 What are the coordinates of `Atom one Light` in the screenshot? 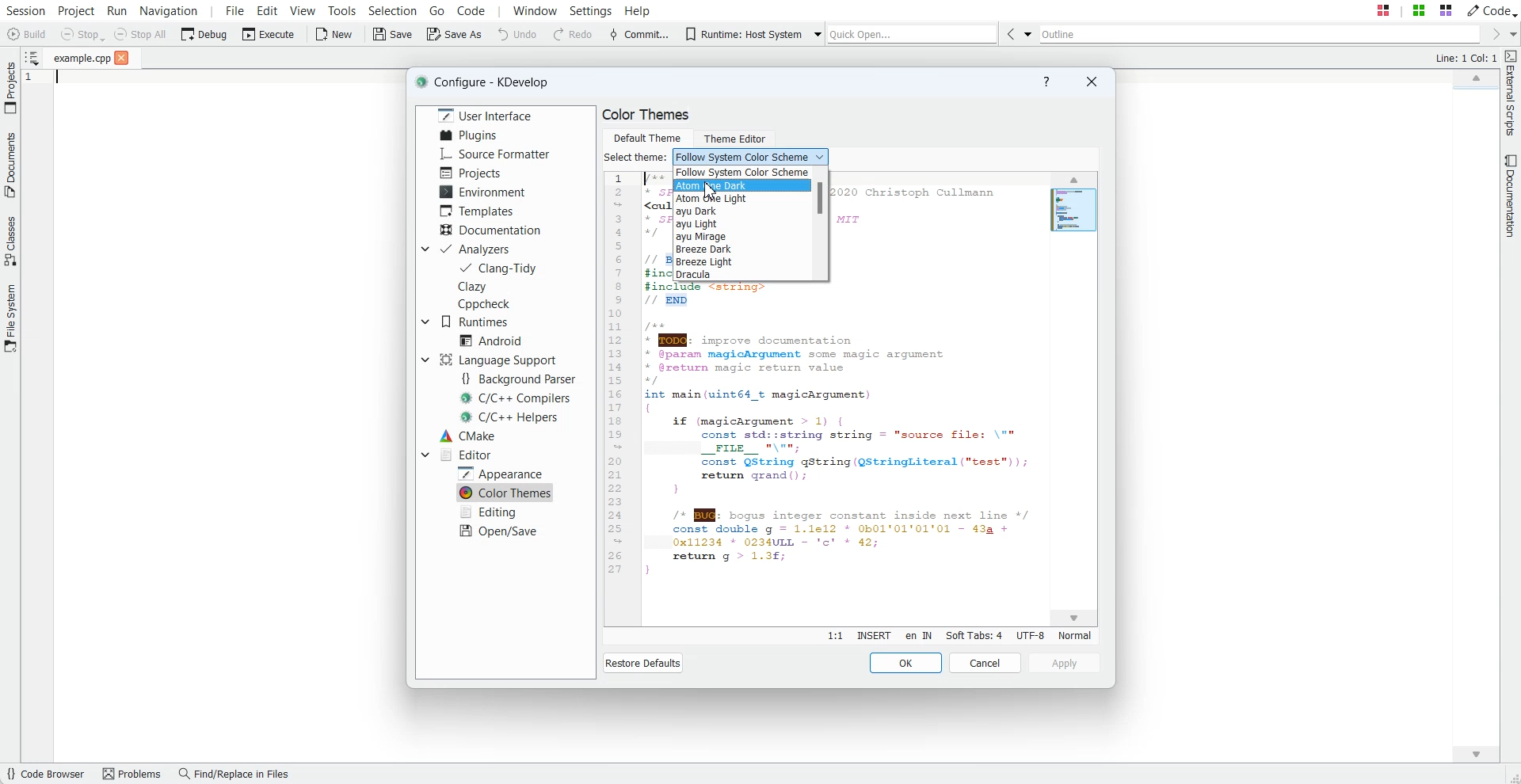 It's located at (743, 199).